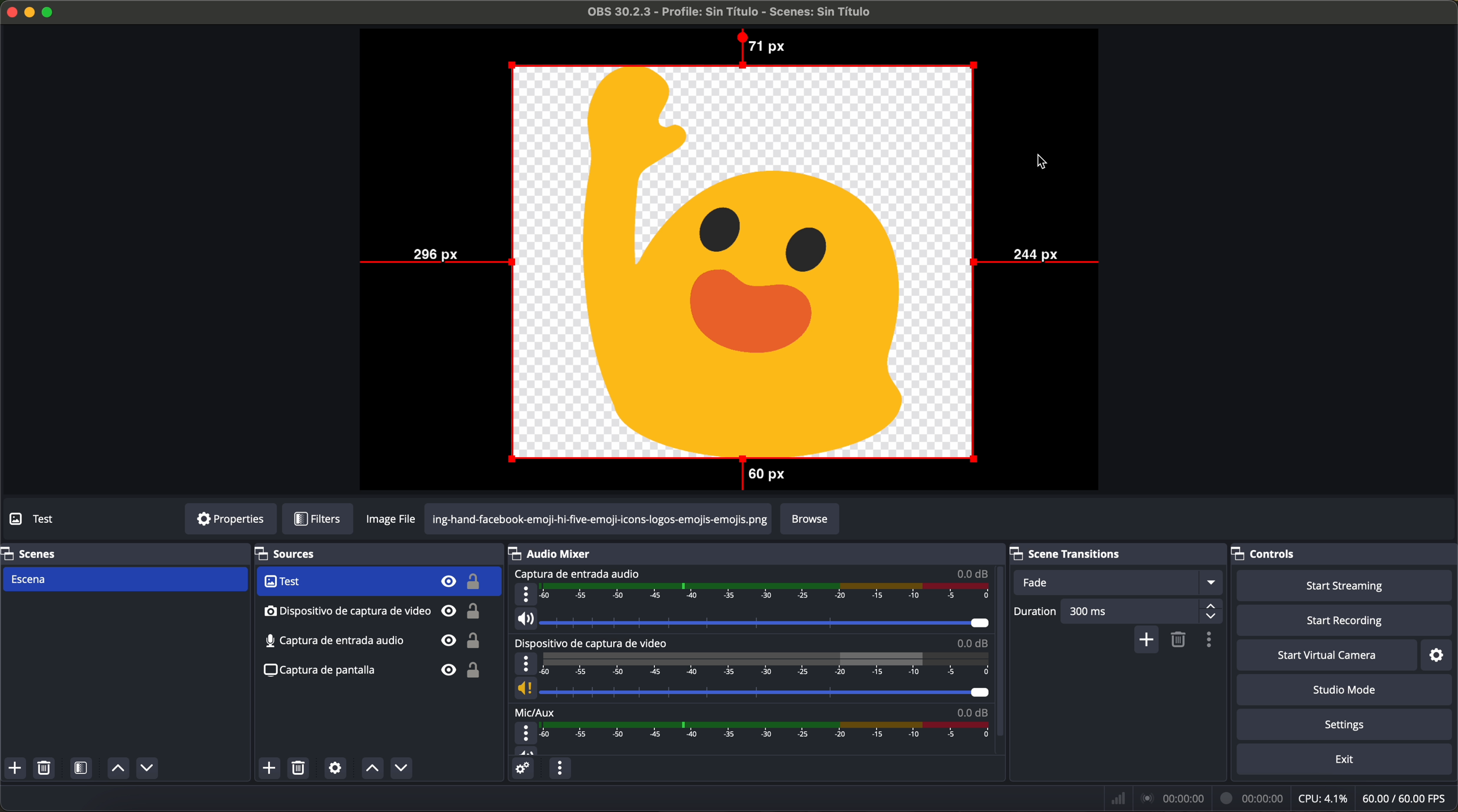  Describe the element at coordinates (301, 768) in the screenshot. I see `remove selected source` at that location.